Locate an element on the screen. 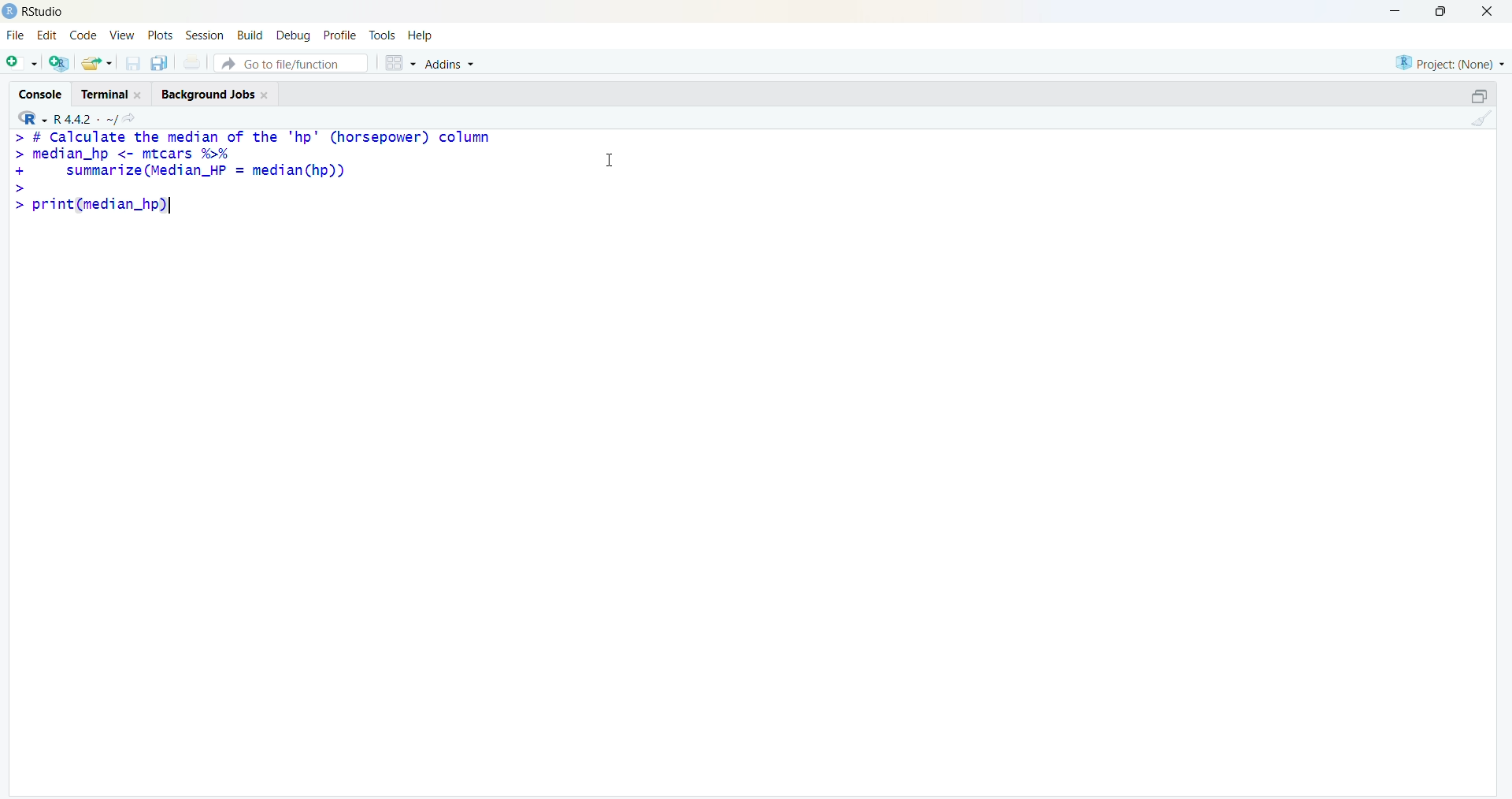 This screenshot has height=799, width=1512. session is located at coordinates (205, 35).